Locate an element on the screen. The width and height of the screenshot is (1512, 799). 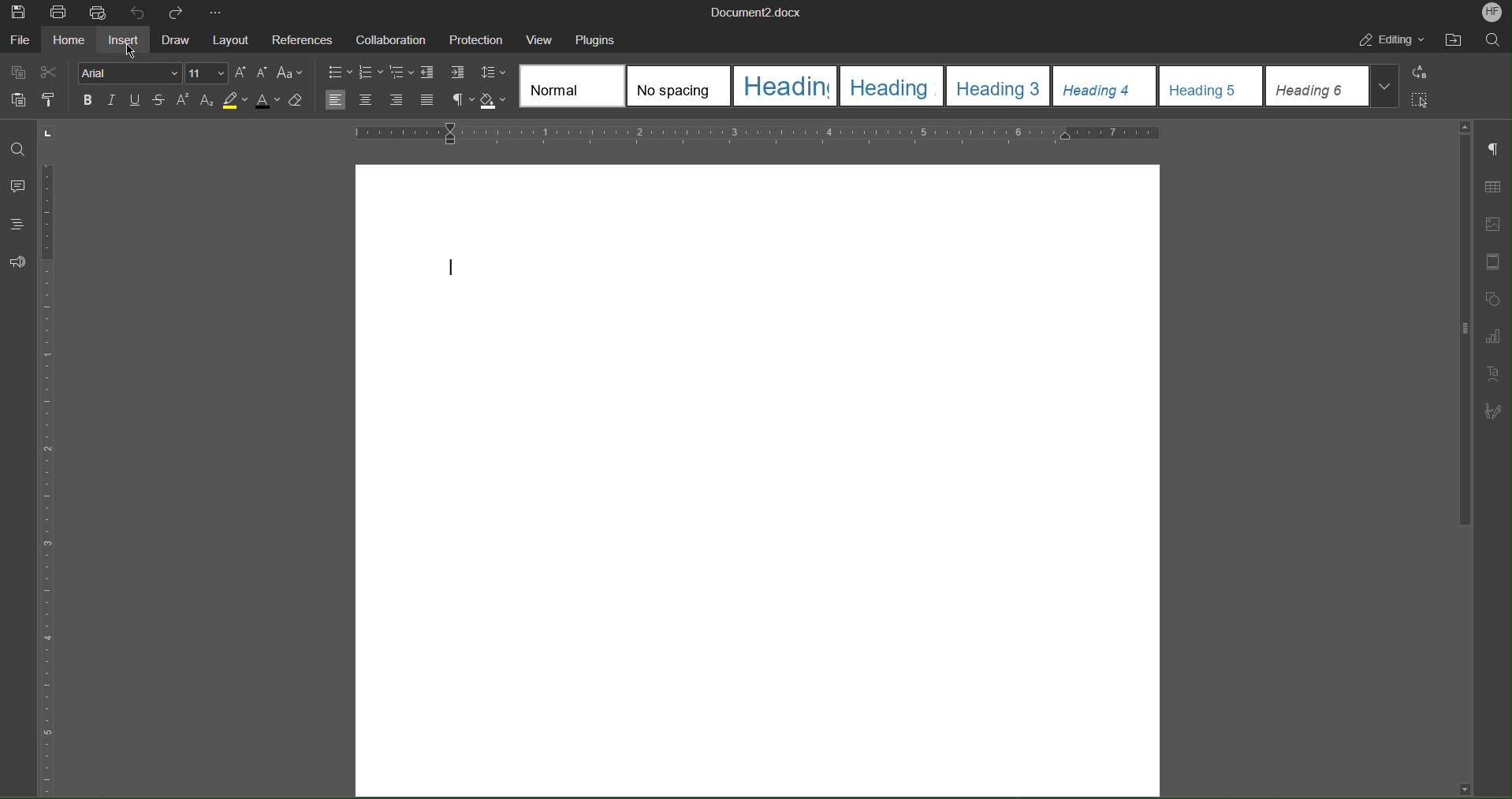
Numbered List is located at coordinates (370, 72).